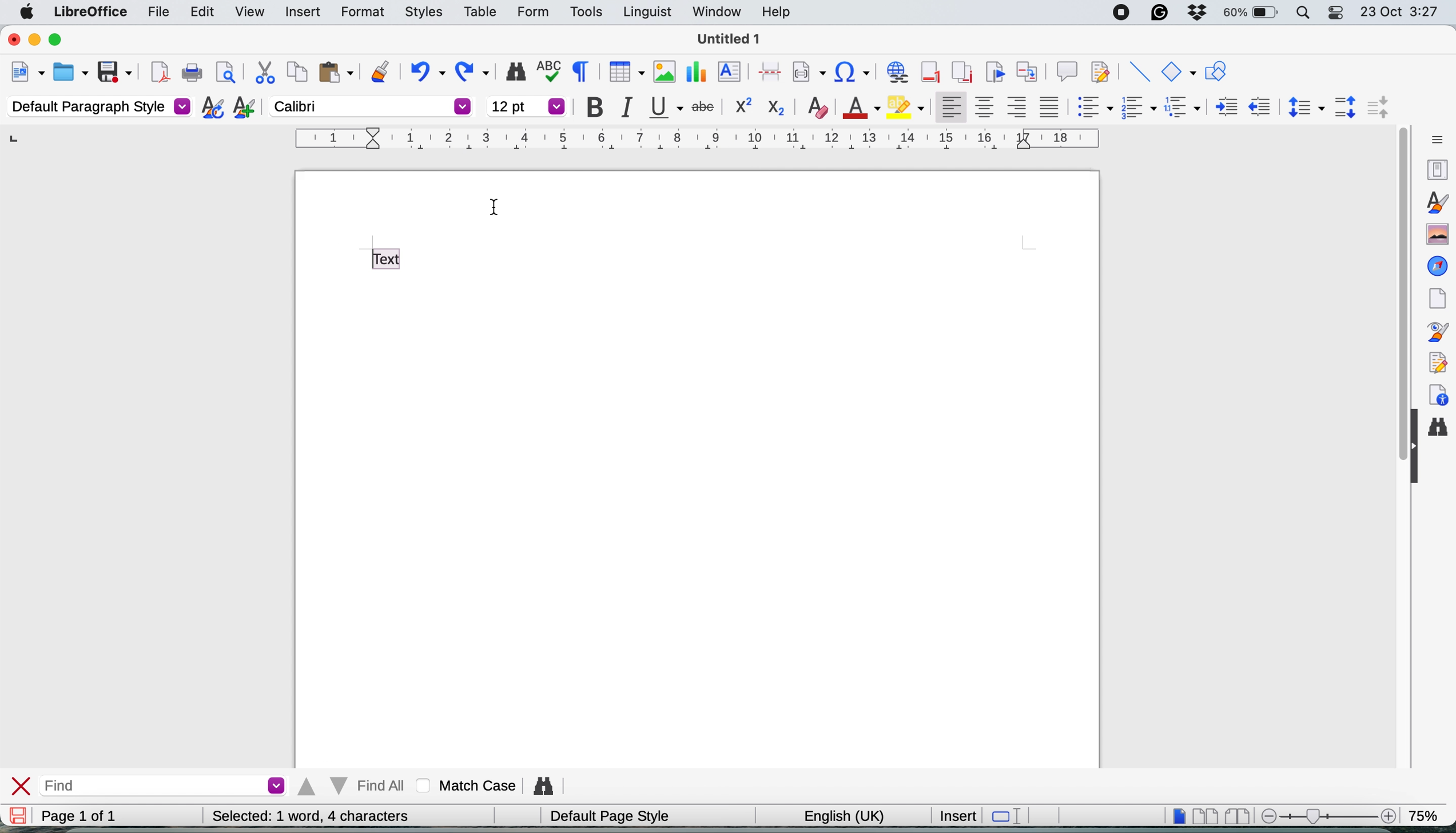  Describe the element at coordinates (512, 72) in the screenshot. I see `find and replace` at that location.